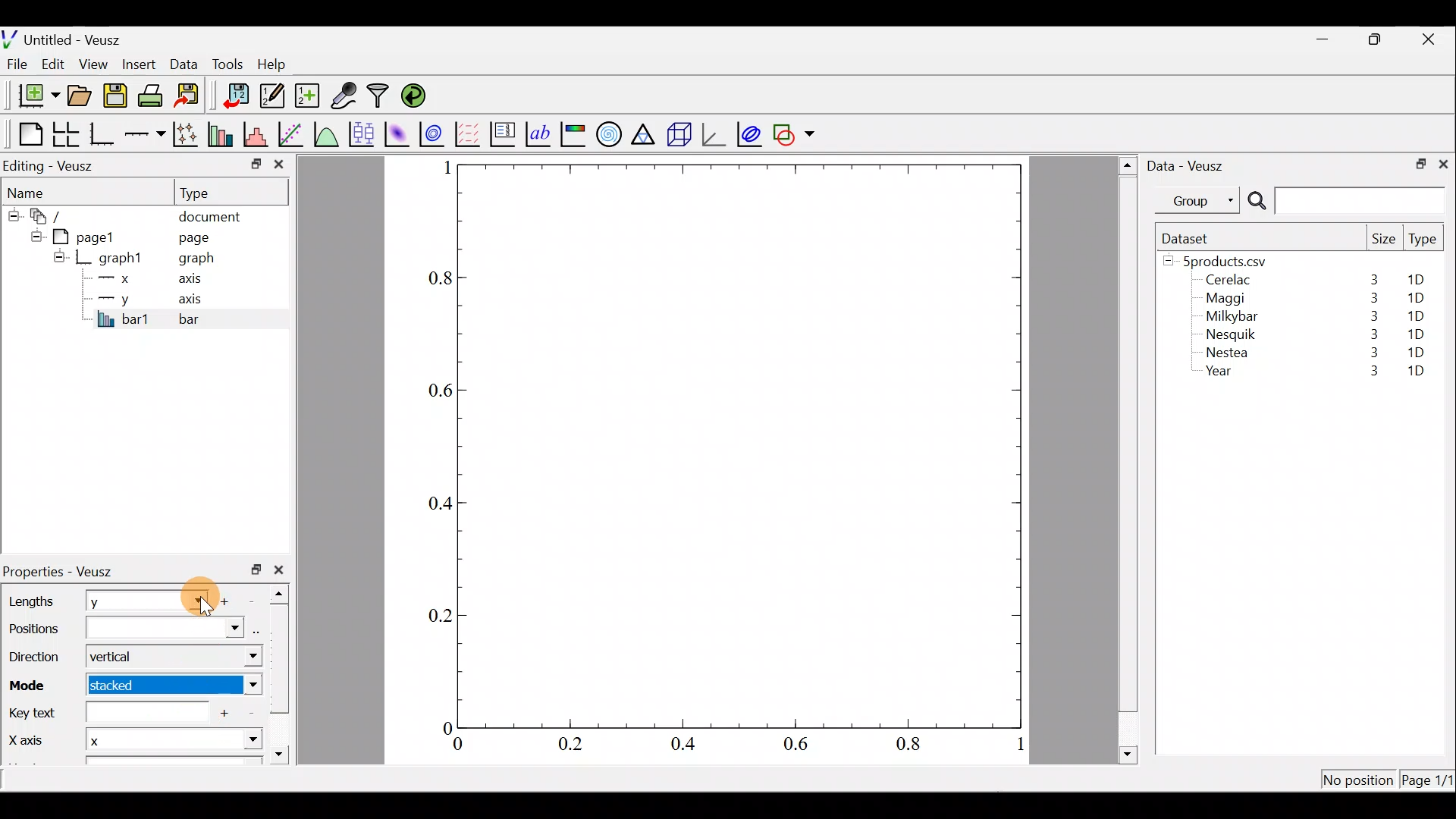  I want to click on add another item, so click(227, 713).